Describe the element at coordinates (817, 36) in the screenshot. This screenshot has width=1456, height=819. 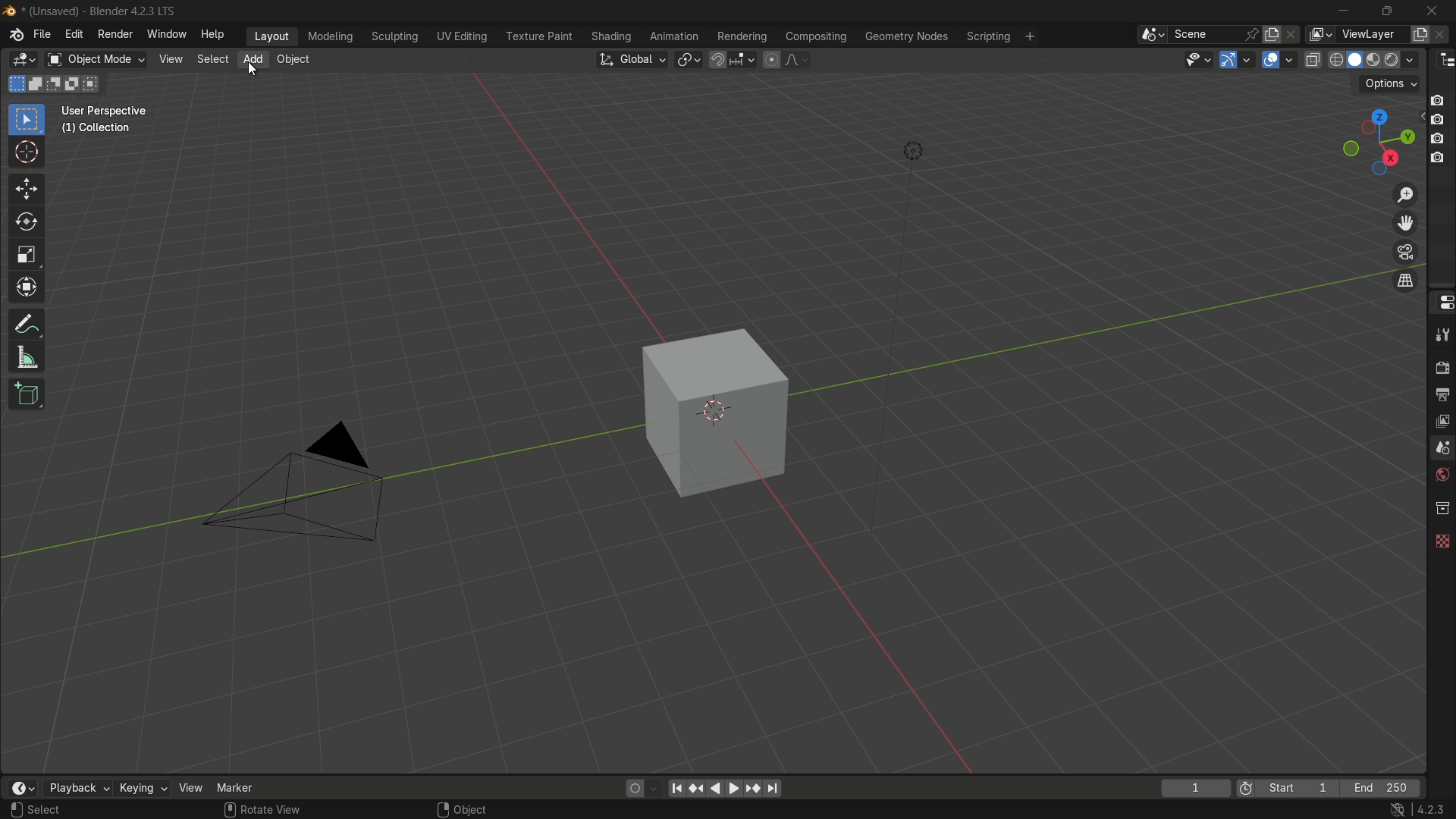
I see `compositing menu` at that location.